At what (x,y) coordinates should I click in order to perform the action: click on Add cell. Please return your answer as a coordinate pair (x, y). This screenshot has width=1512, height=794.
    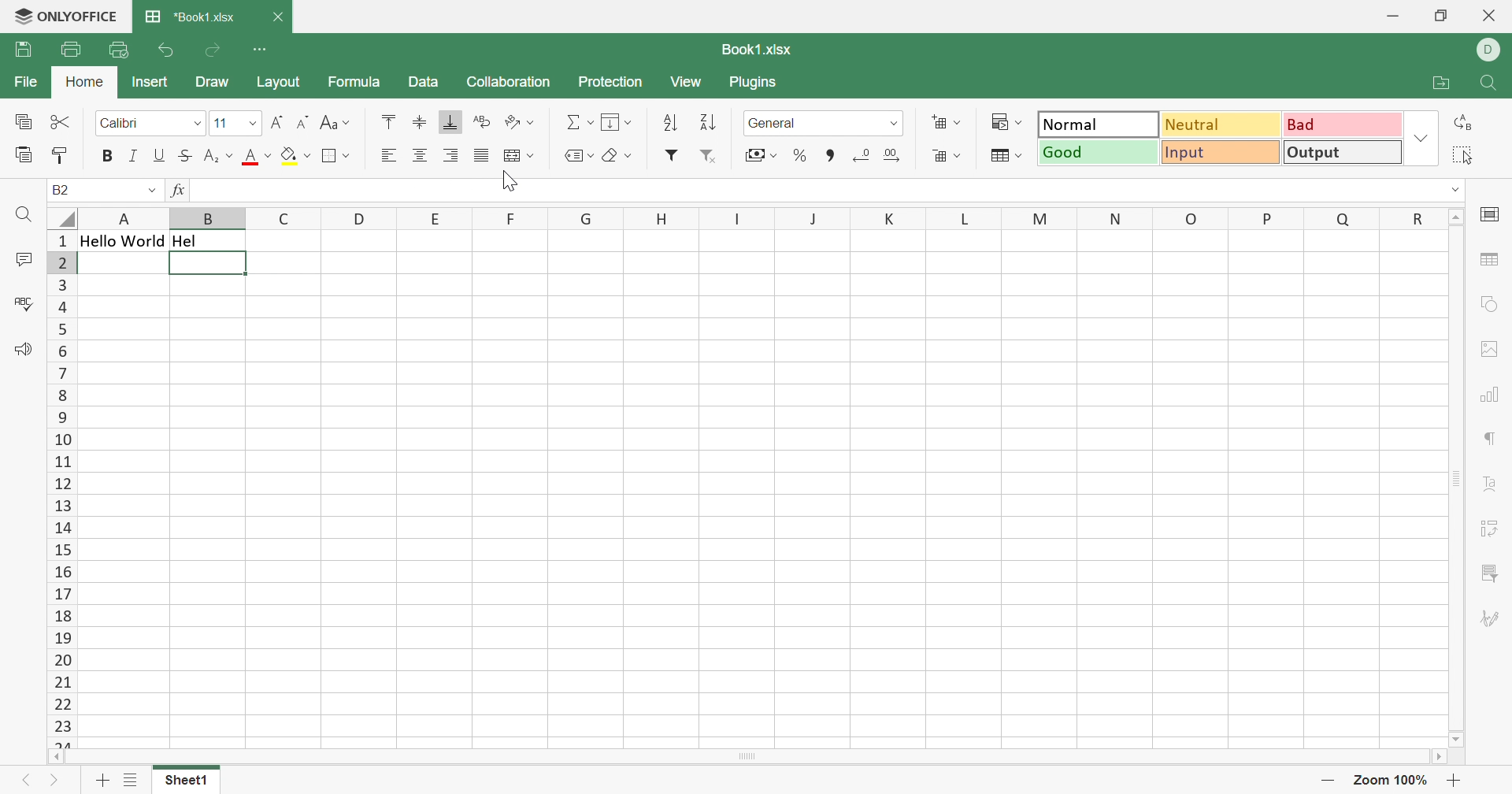
    Looking at the image, I should click on (949, 122).